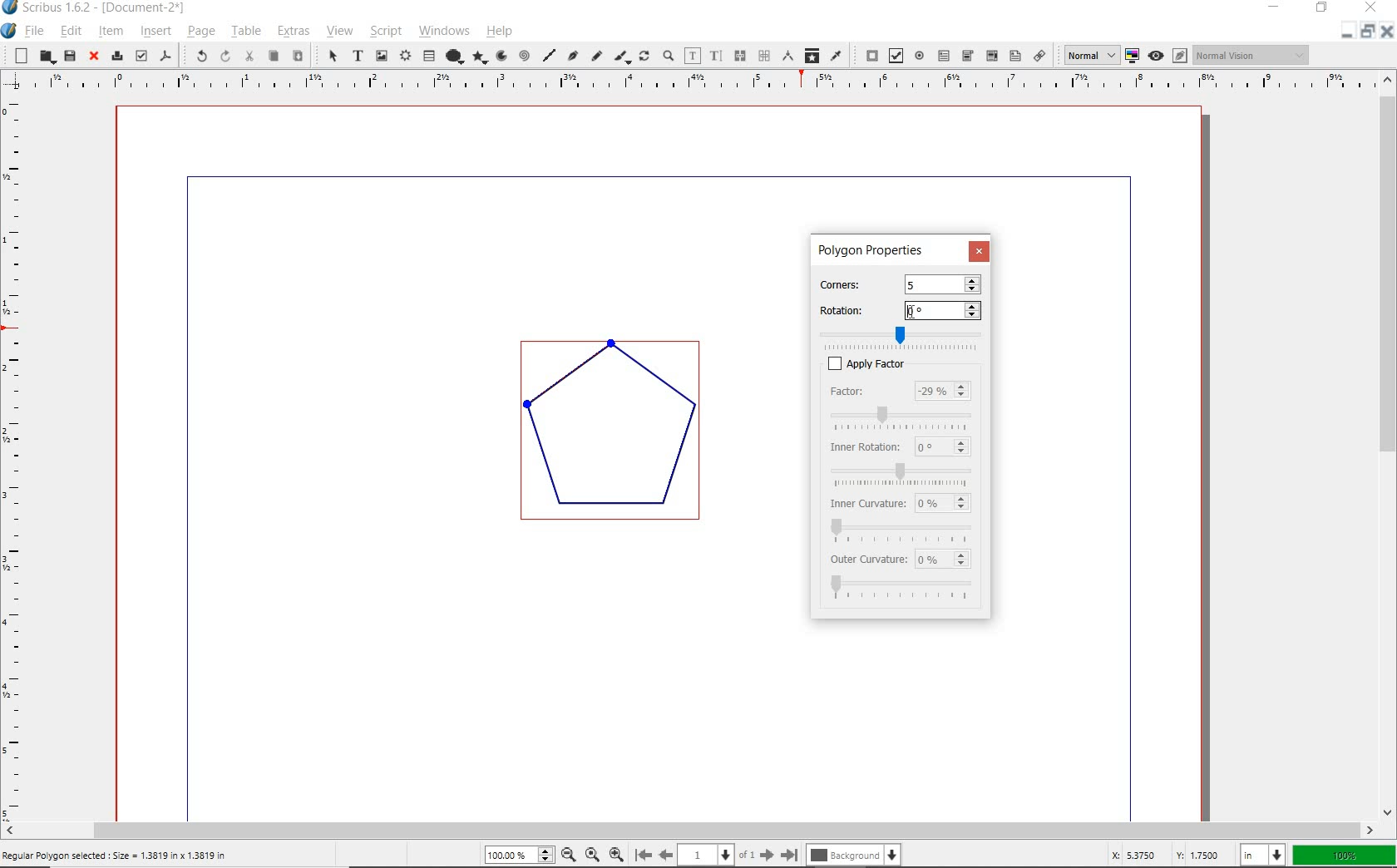 The height and width of the screenshot is (868, 1397). I want to click on extras, so click(290, 31).